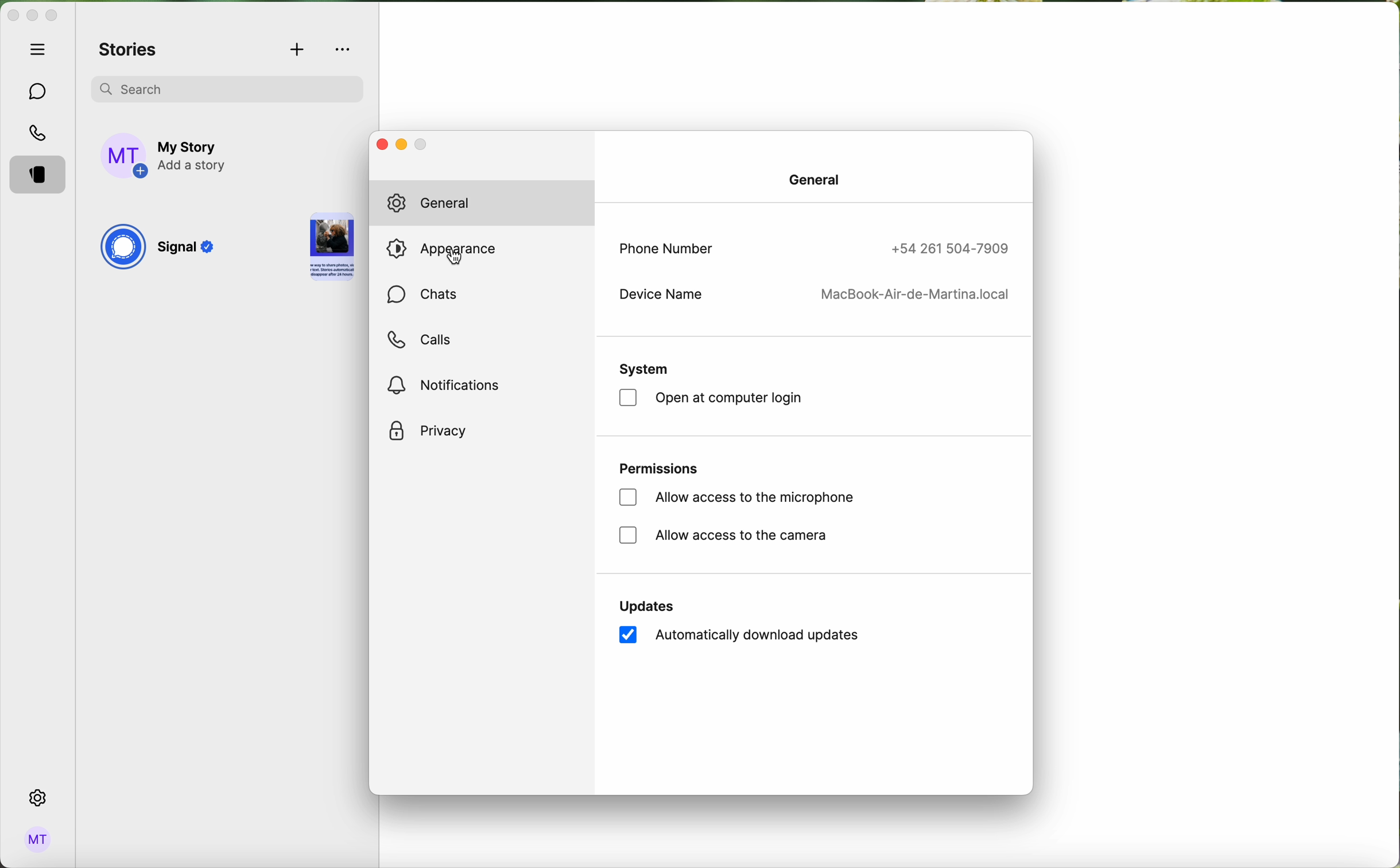 This screenshot has width=1400, height=868. What do you see at coordinates (122, 249) in the screenshot?
I see `signal logo` at bounding box center [122, 249].